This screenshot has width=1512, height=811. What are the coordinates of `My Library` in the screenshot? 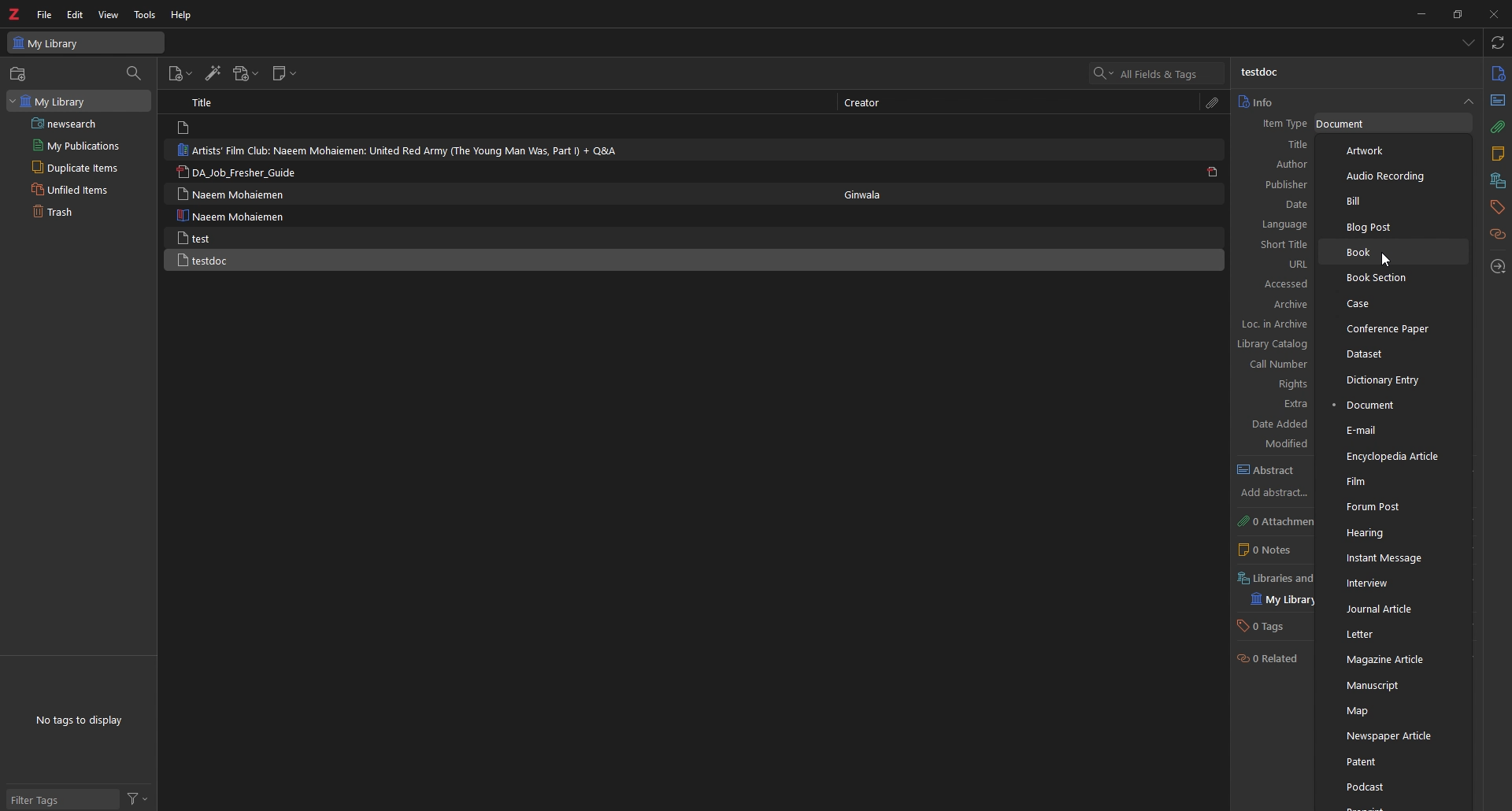 It's located at (87, 43).